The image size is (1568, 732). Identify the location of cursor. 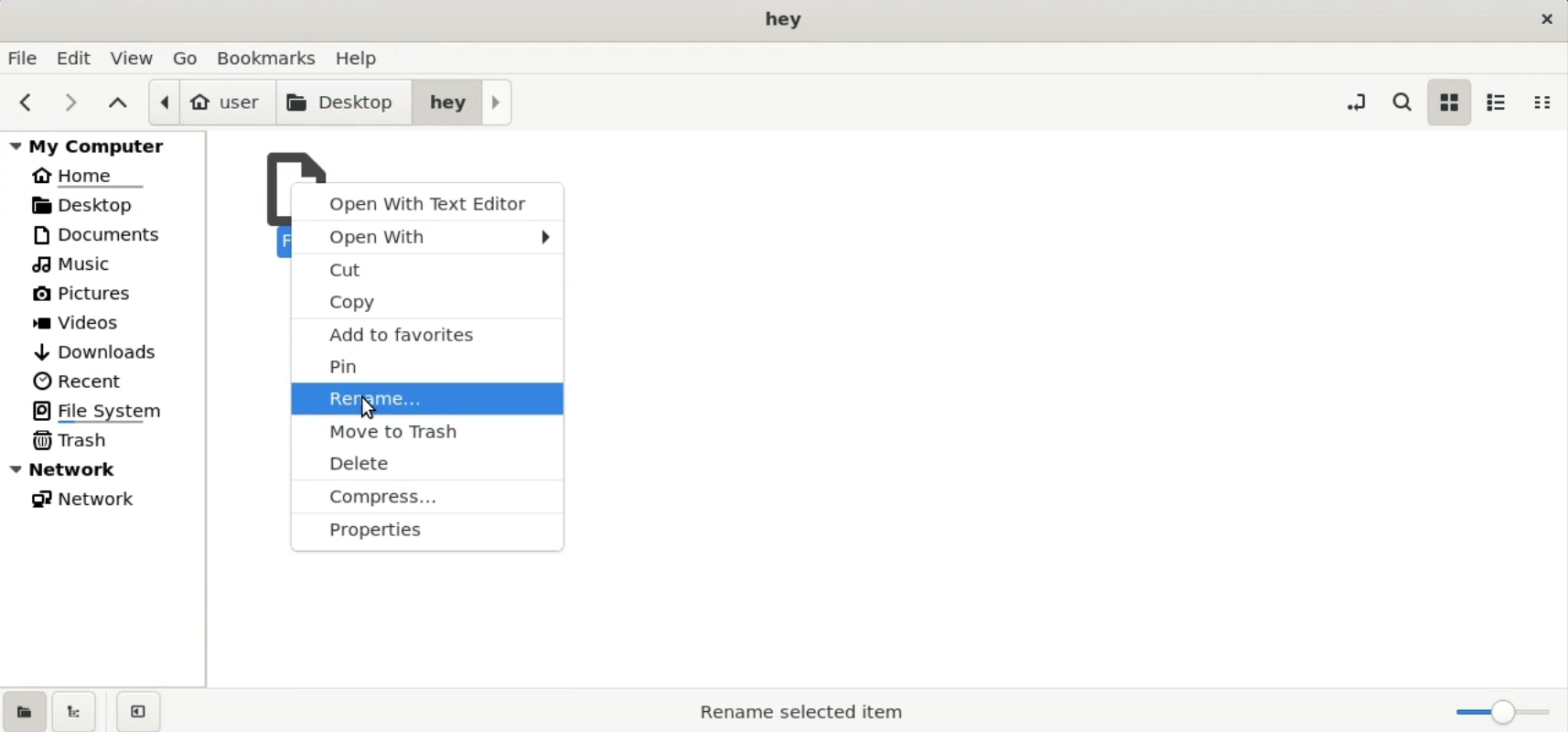
(369, 408).